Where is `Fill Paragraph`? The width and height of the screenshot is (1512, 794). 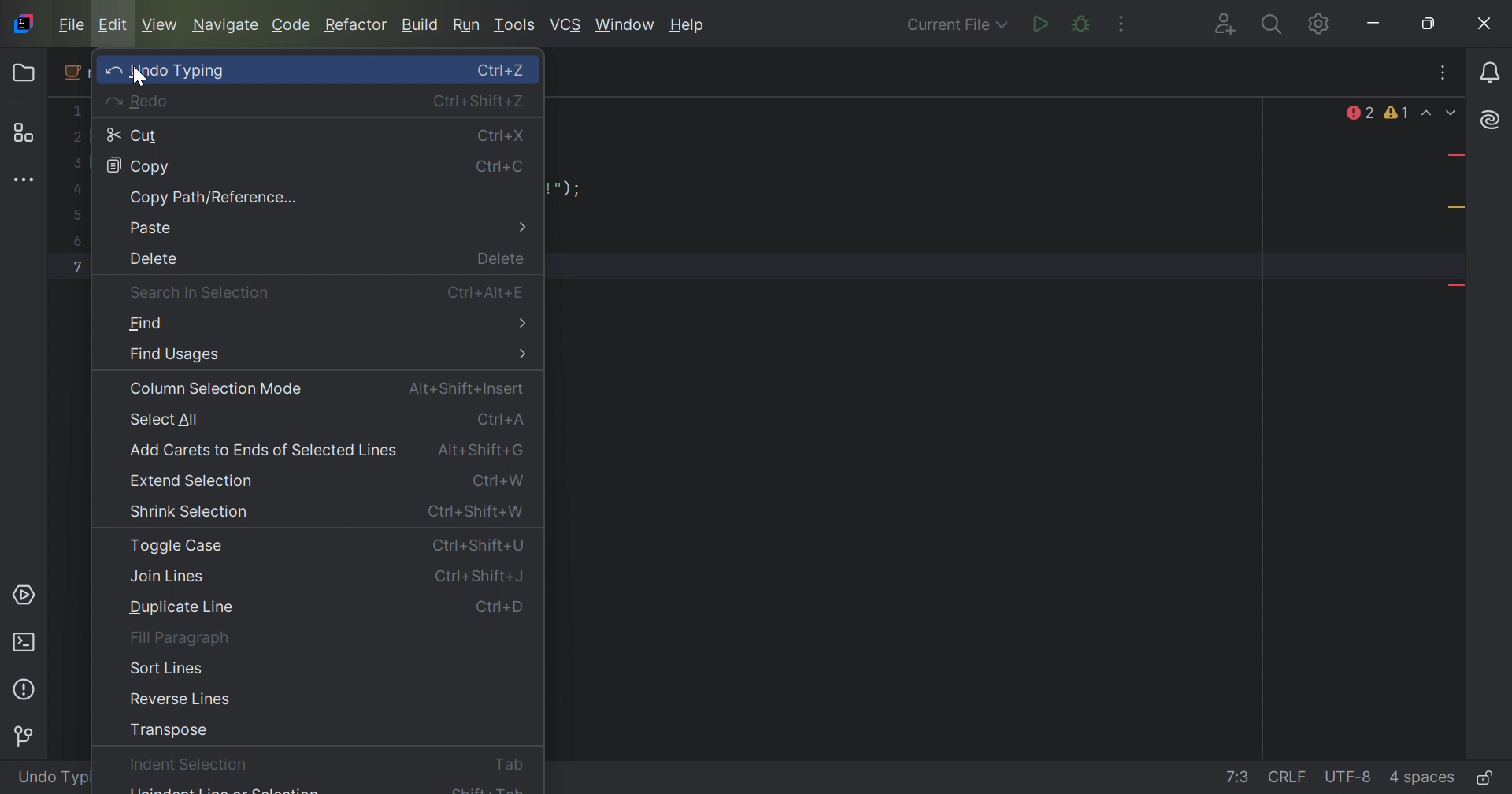 Fill Paragraph is located at coordinates (182, 636).